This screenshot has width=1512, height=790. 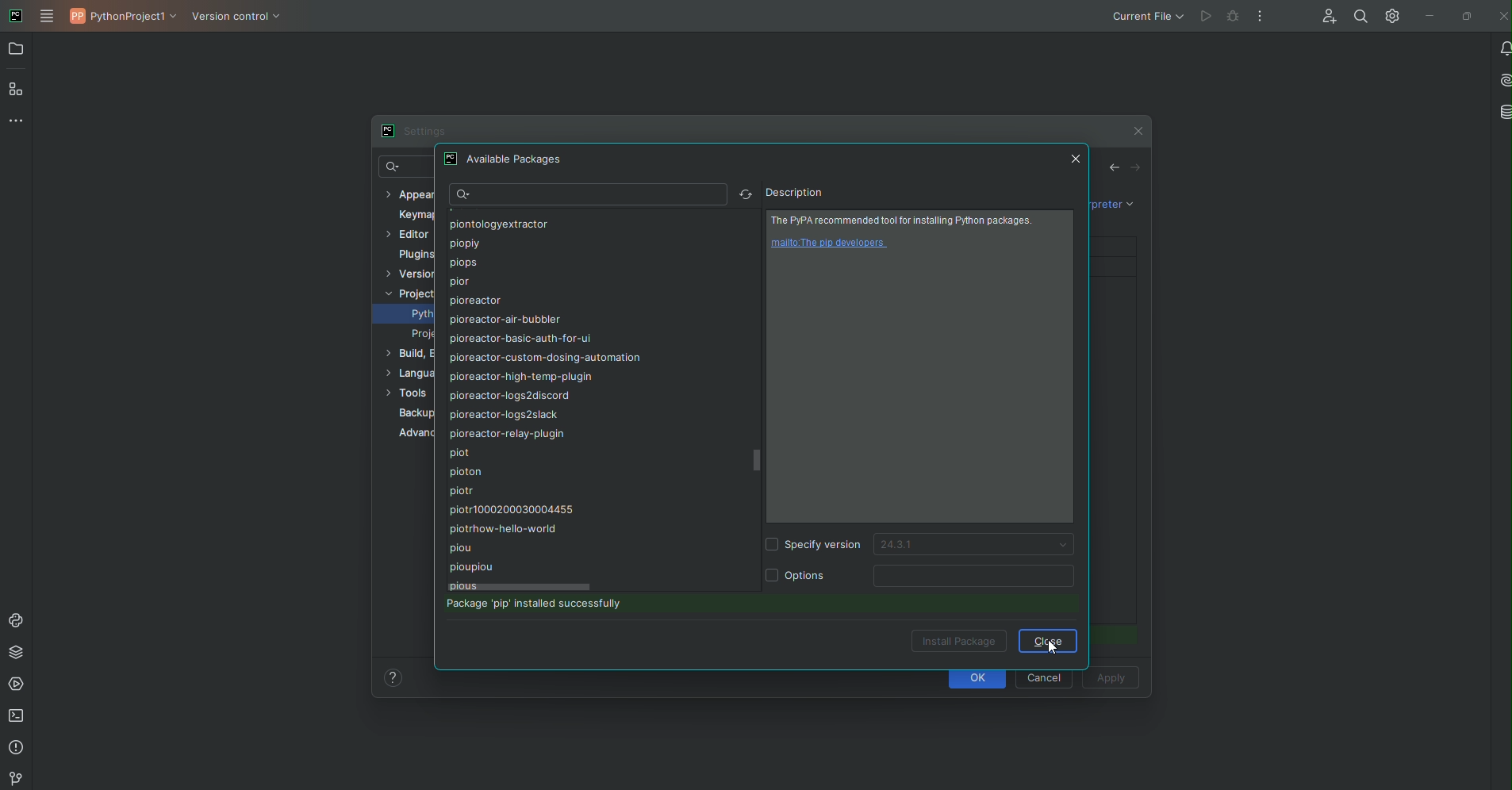 I want to click on Database, so click(x=1502, y=110).